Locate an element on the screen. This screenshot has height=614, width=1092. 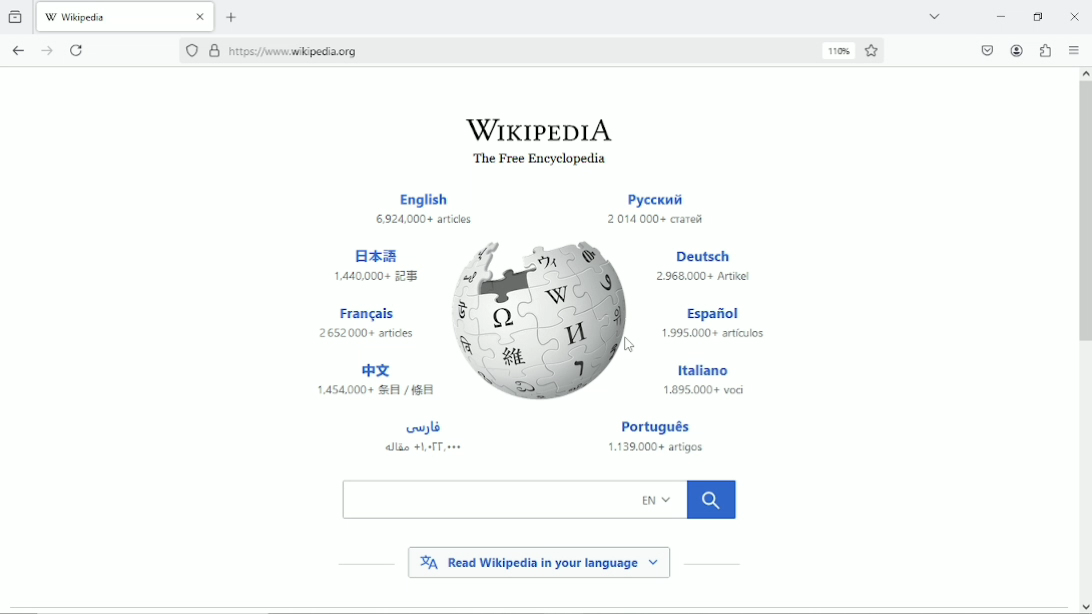
Cursor is located at coordinates (629, 345).